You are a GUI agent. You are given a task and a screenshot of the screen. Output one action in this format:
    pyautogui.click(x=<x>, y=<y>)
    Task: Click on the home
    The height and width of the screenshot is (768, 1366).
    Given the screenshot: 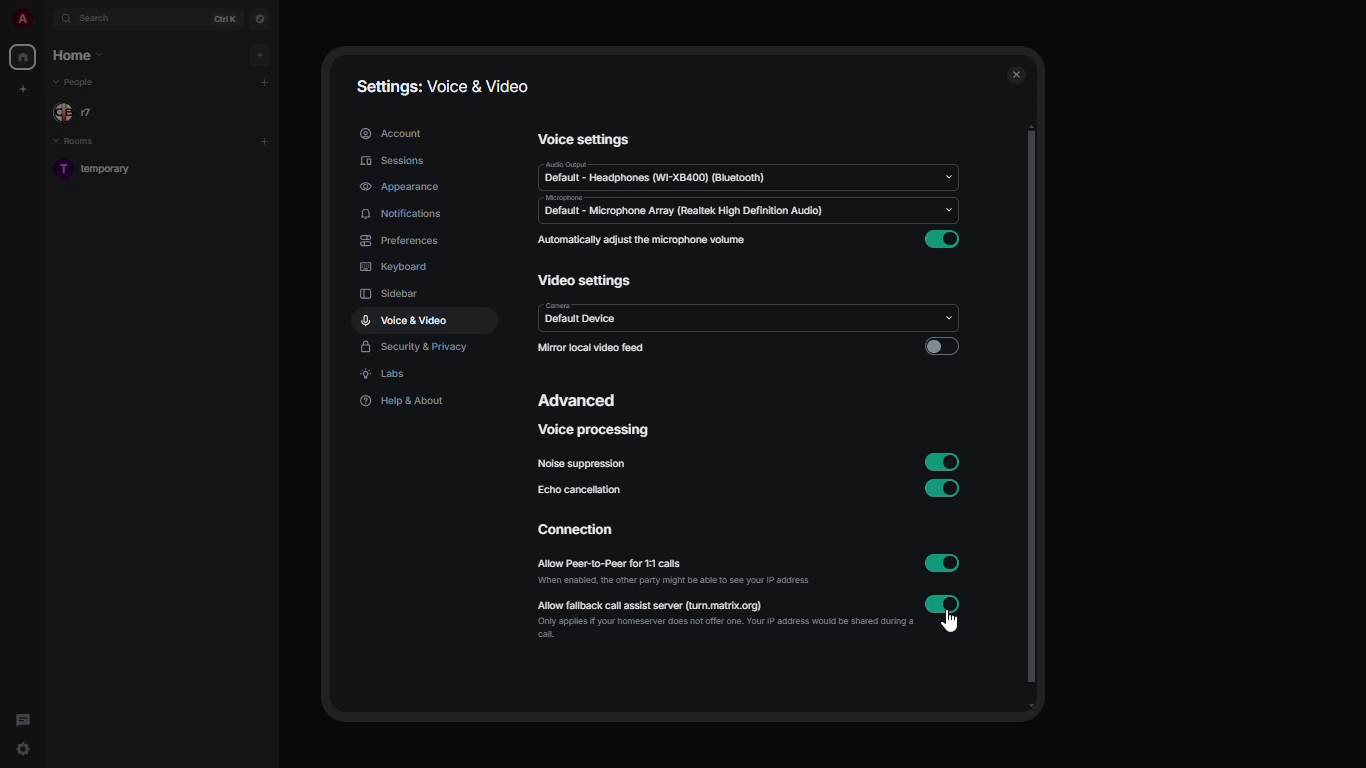 What is the action you would take?
    pyautogui.click(x=77, y=56)
    